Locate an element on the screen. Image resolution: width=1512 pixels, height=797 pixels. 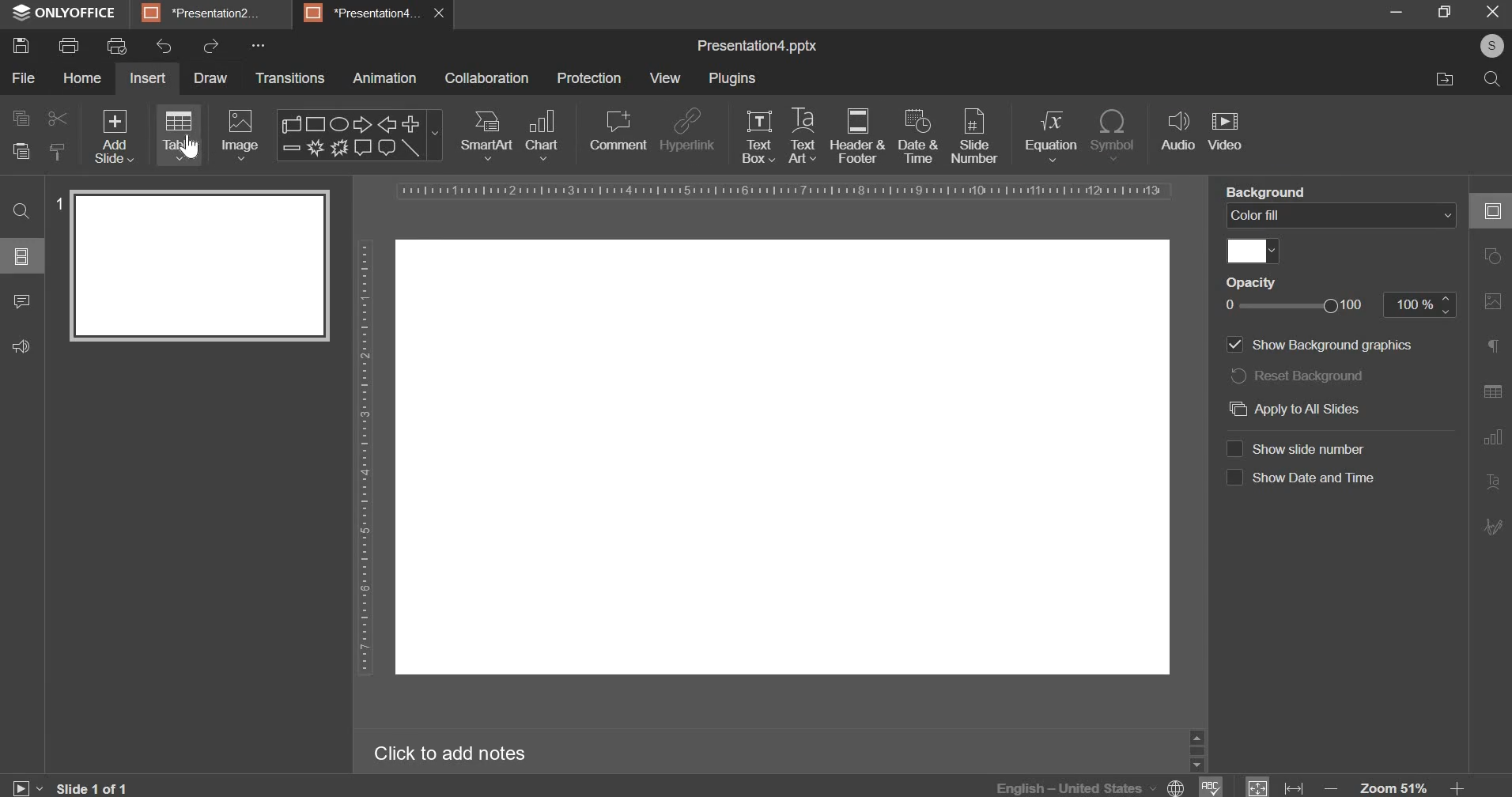
search is located at coordinates (1491, 80).